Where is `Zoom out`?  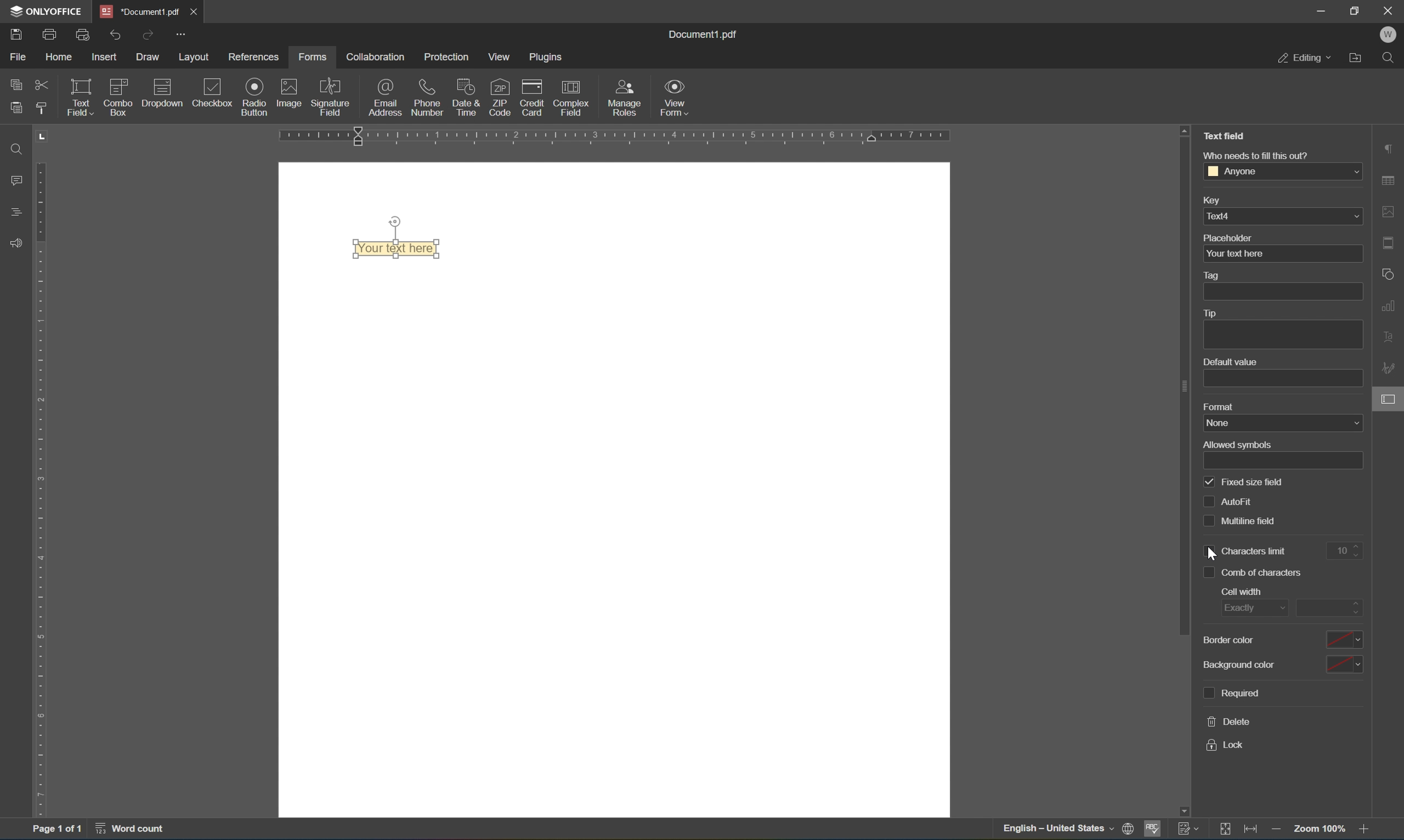 Zoom out is located at coordinates (1280, 830).